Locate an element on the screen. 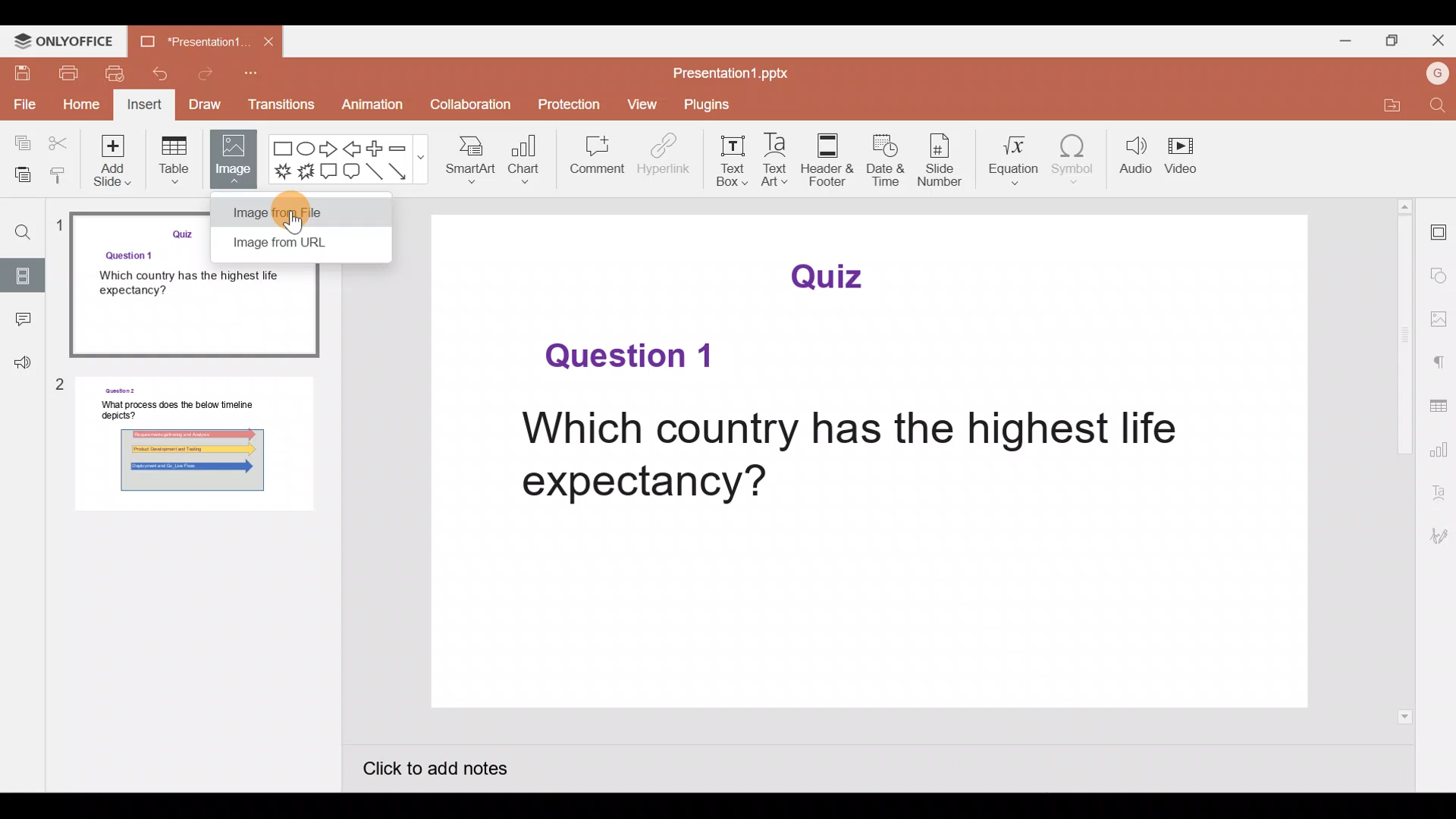 The height and width of the screenshot is (819, 1456). Slide 1 preview is located at coordinates (196, 311).